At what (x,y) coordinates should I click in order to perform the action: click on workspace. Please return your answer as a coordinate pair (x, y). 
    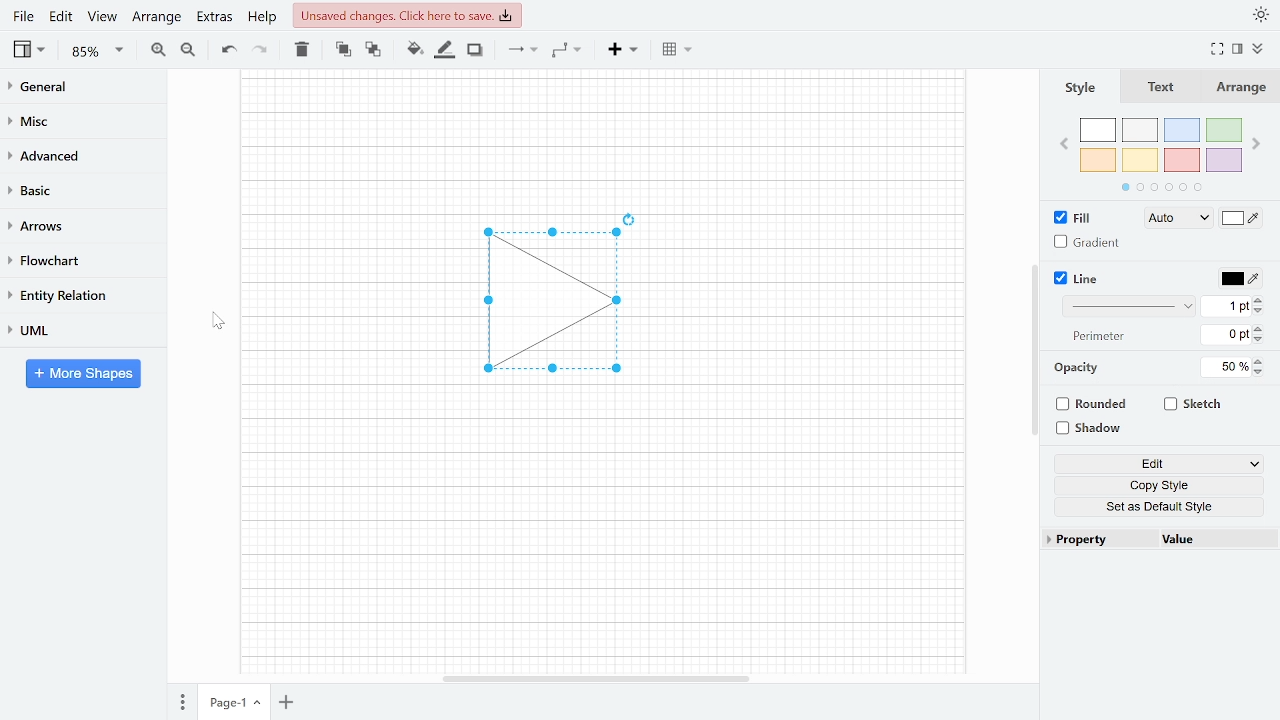
    Looking at the image, I should click on (819, 302).